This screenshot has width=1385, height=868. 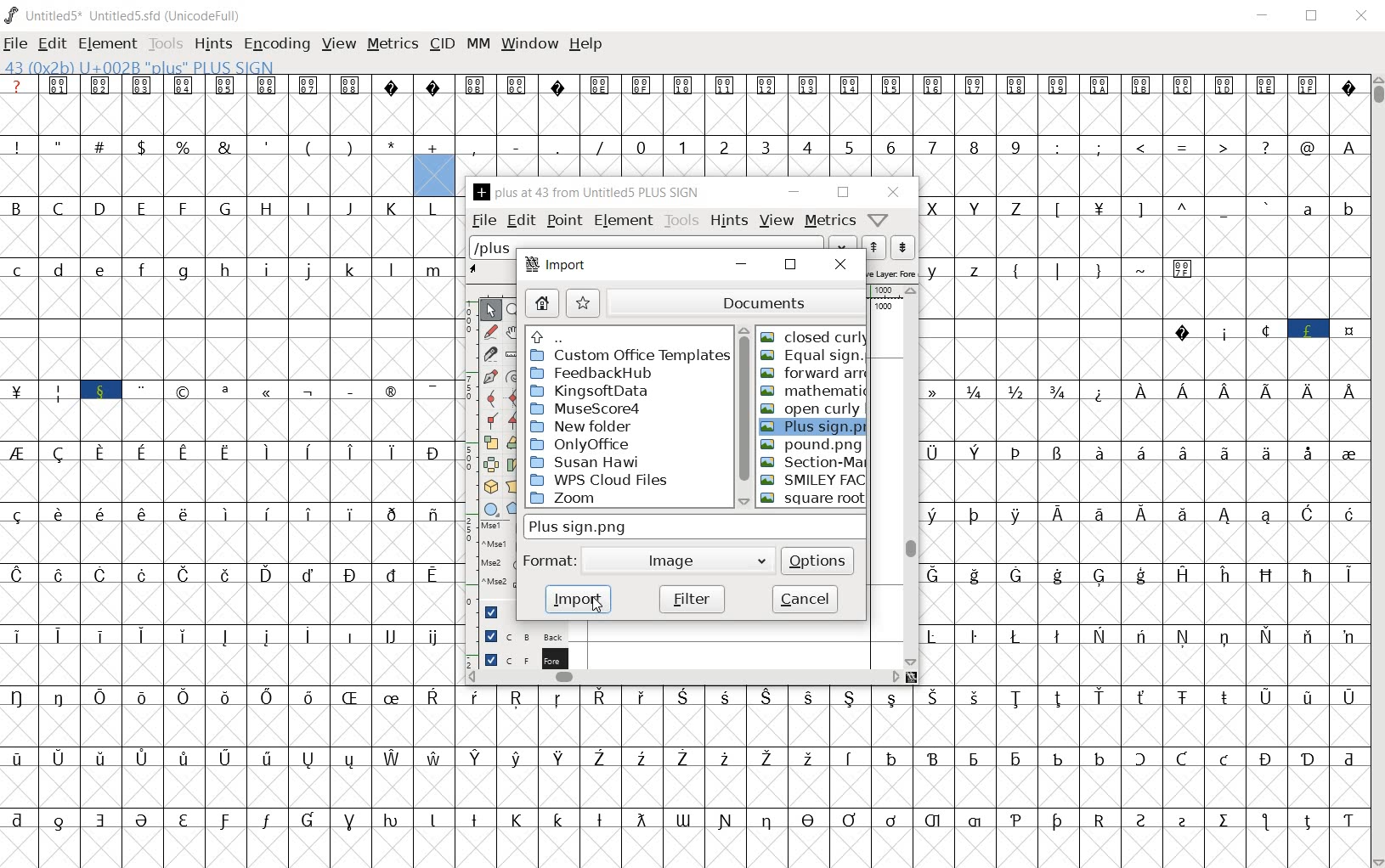 I want to click on close, so click(x=842, y=268).